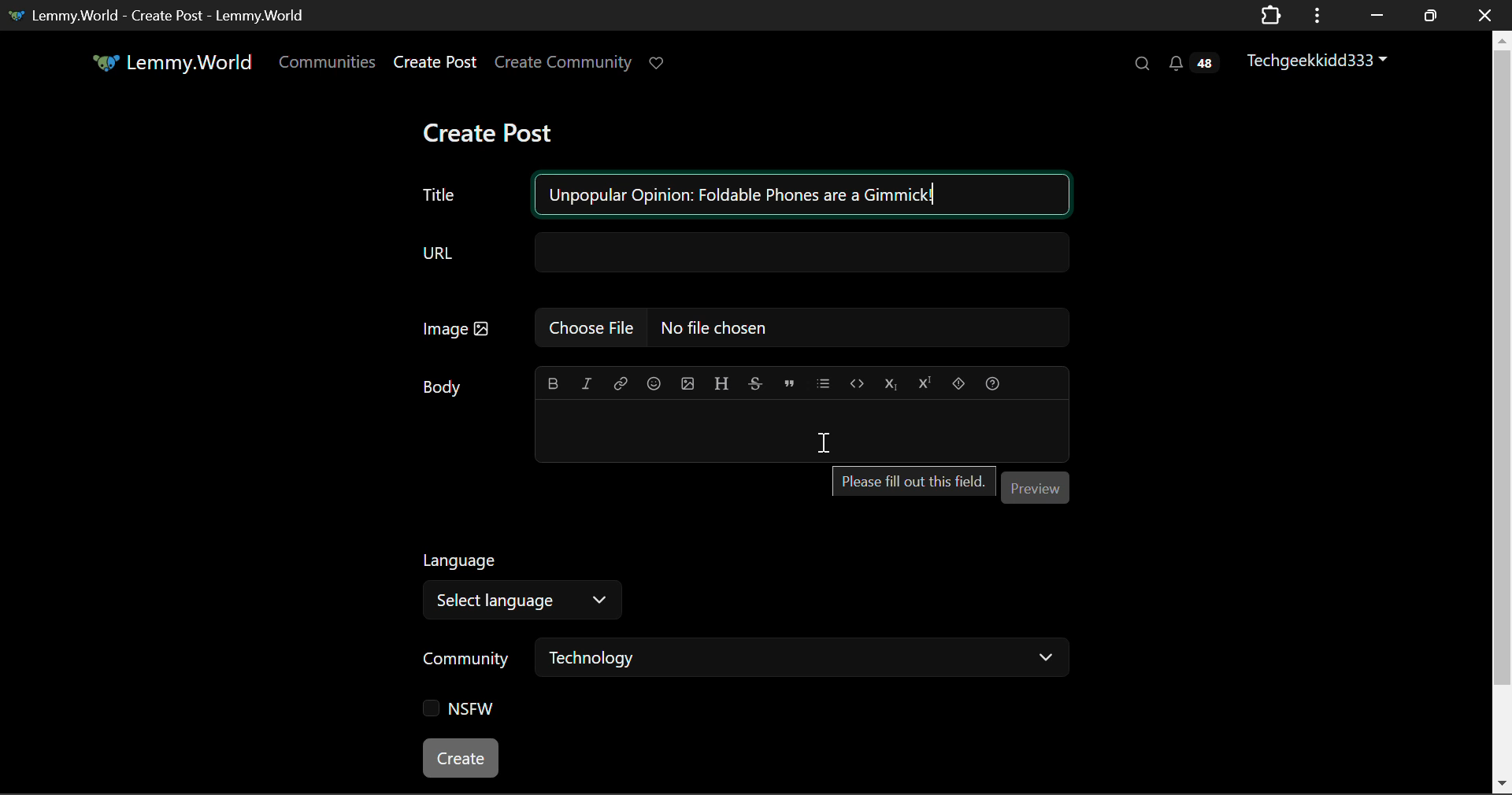  What do you see at coordinates (160, 14) in the screenshot?
I see `Lemmy.World - Create Post - Lemmy.World` at bounding box center [160, 14].